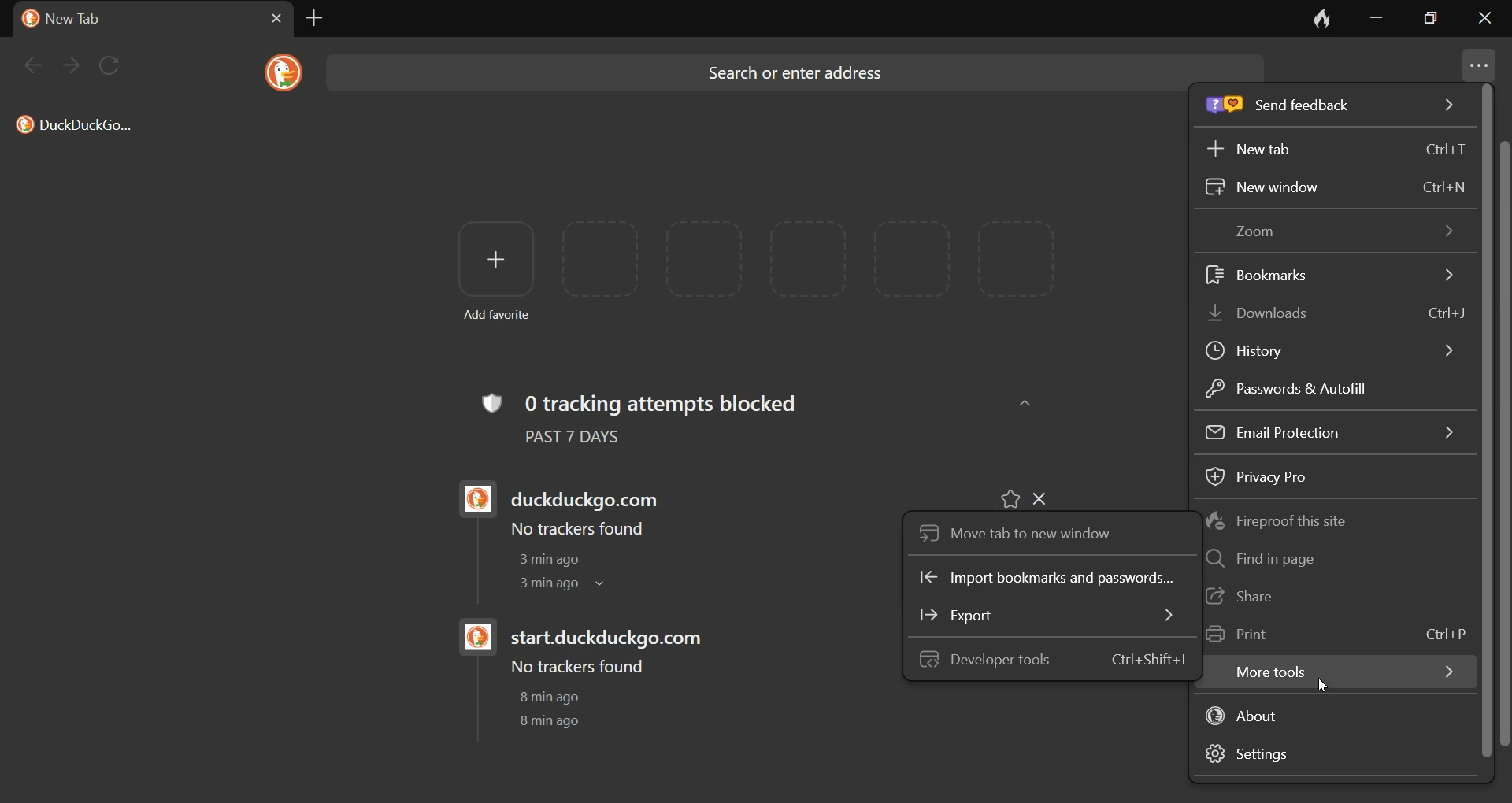  What do you see at coordinates (1488, 20) in the screenshot?
I see `close` at bounding box center [1488, 20].